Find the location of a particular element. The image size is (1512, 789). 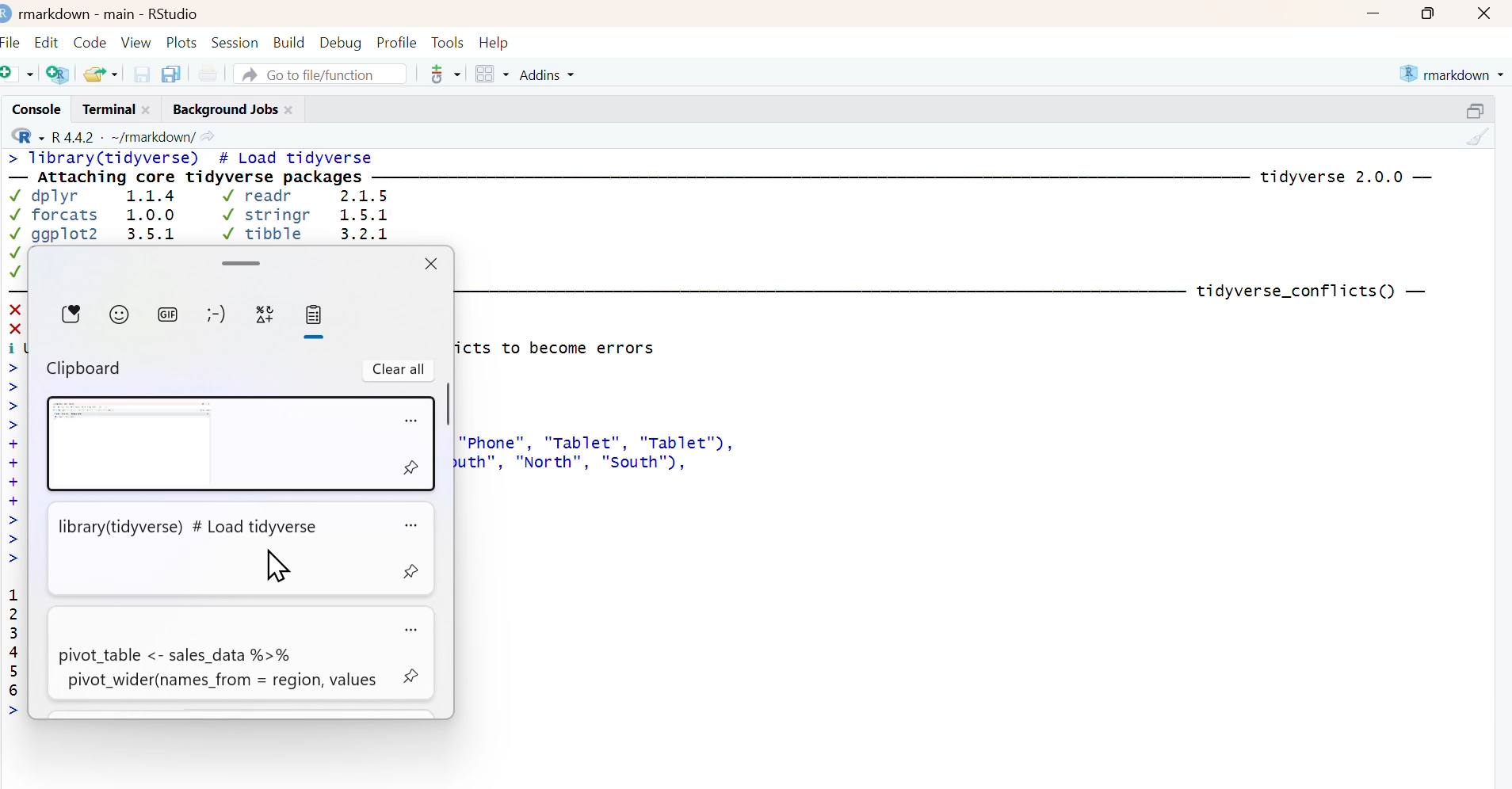

Console is located at coordinates (33, 109).